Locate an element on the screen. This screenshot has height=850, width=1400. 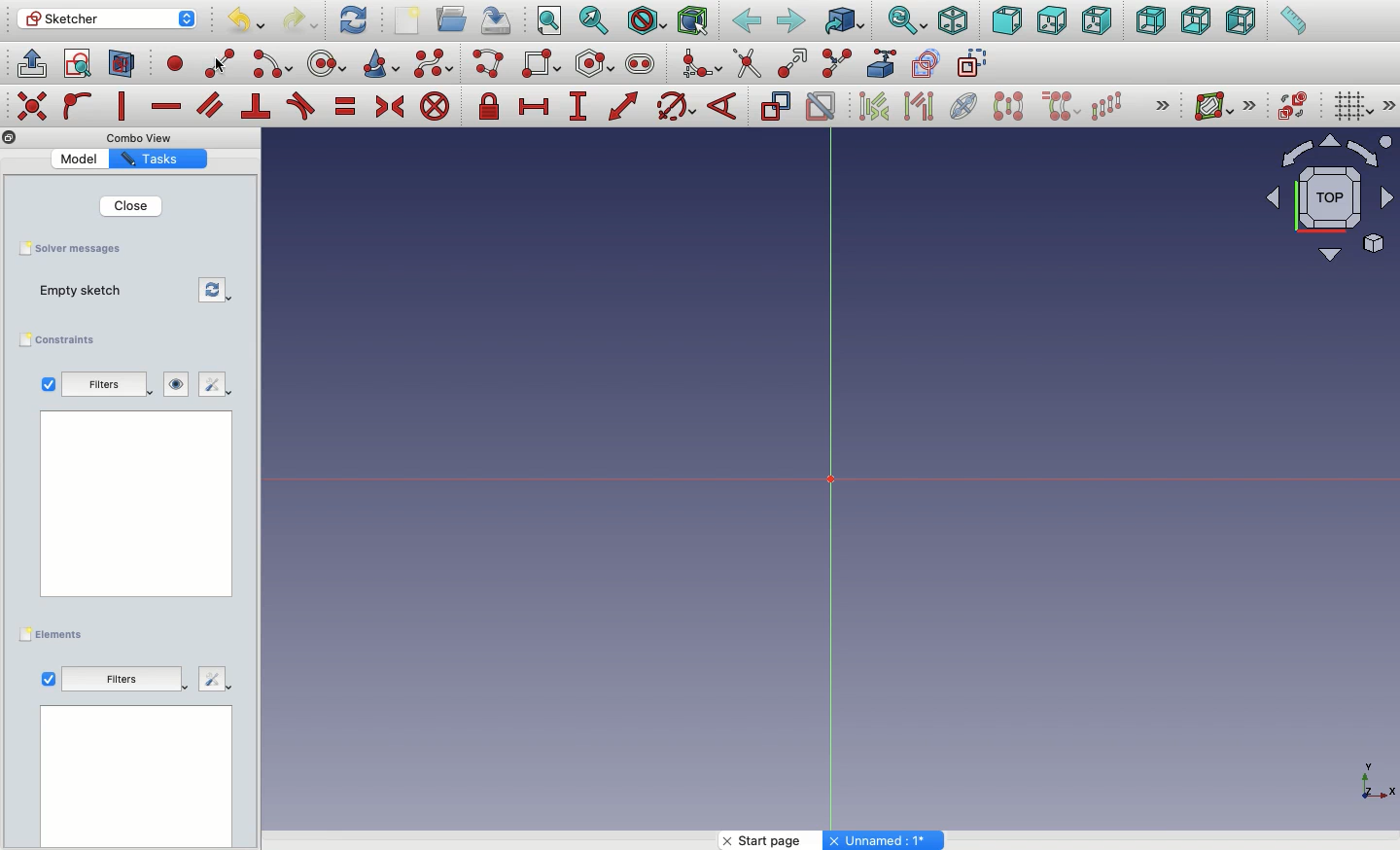
View section is located at coordinates (122, 65).